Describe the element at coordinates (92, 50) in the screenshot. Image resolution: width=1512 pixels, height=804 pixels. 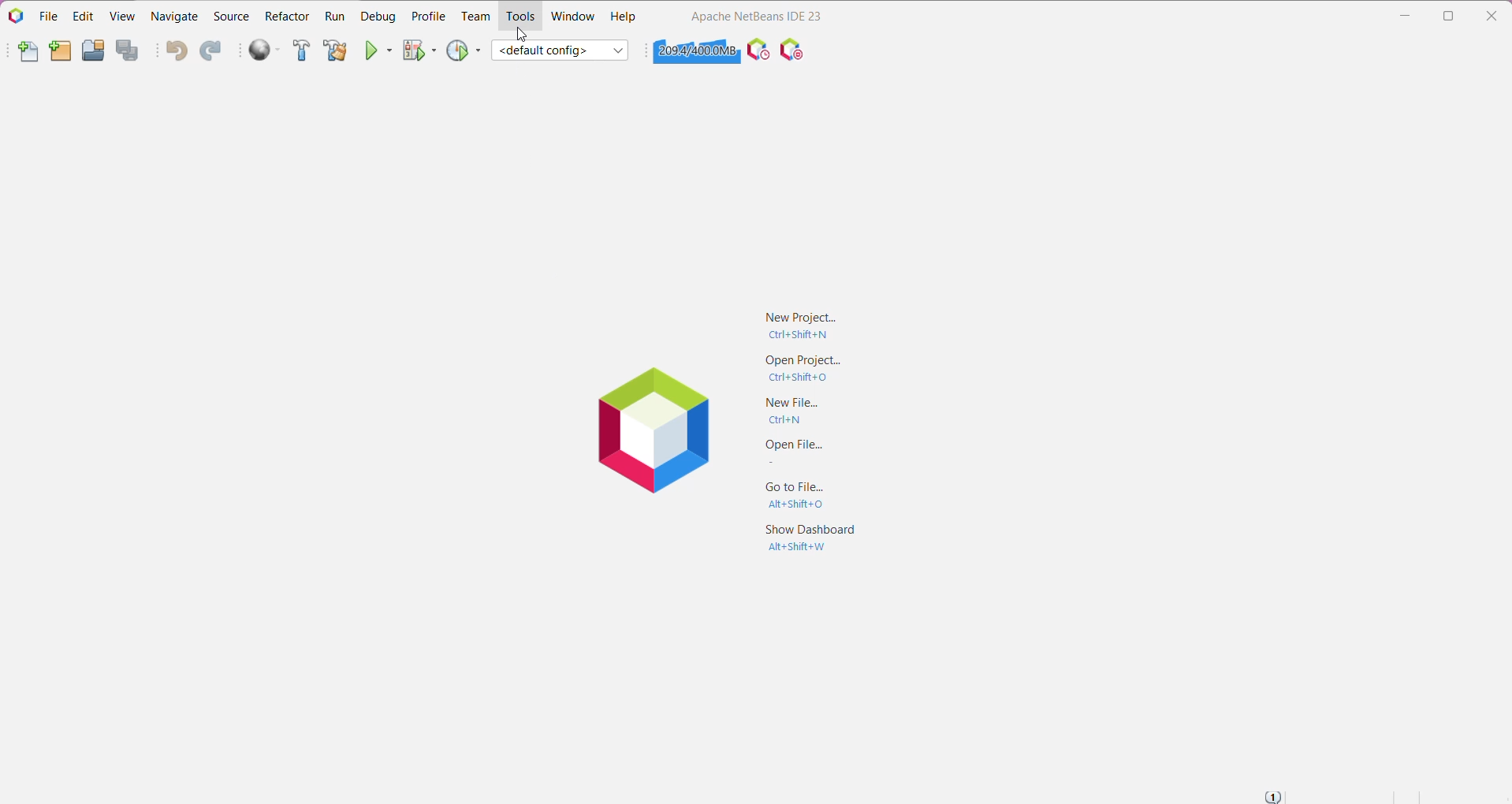
I see `Open Project` at that location.